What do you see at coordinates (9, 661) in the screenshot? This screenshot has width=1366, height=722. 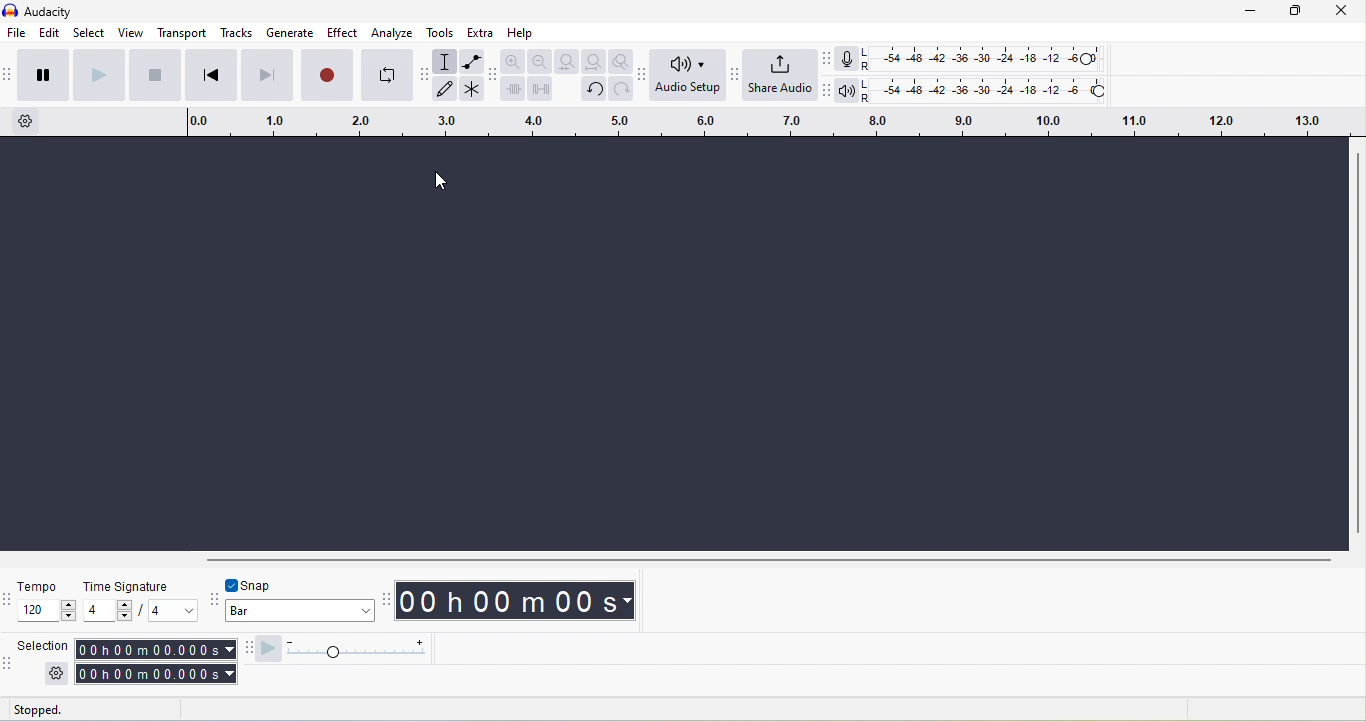 I see `audacity selection toolbar` at bounding box center [9, 661].